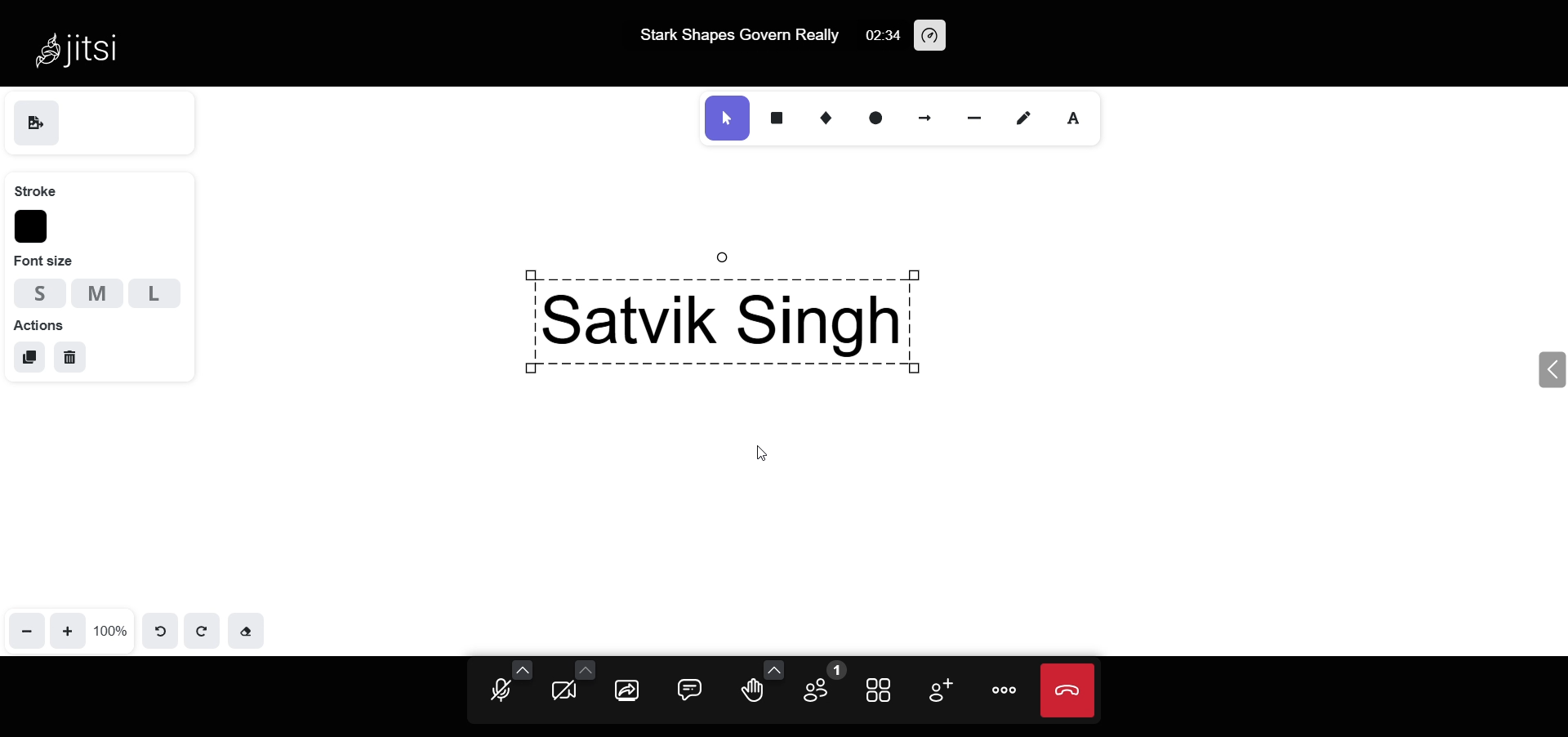 This screenshot has height=737, width=1568. Describe the element at coordinates (34, 291) in the screenshot. I see `small` at that location.